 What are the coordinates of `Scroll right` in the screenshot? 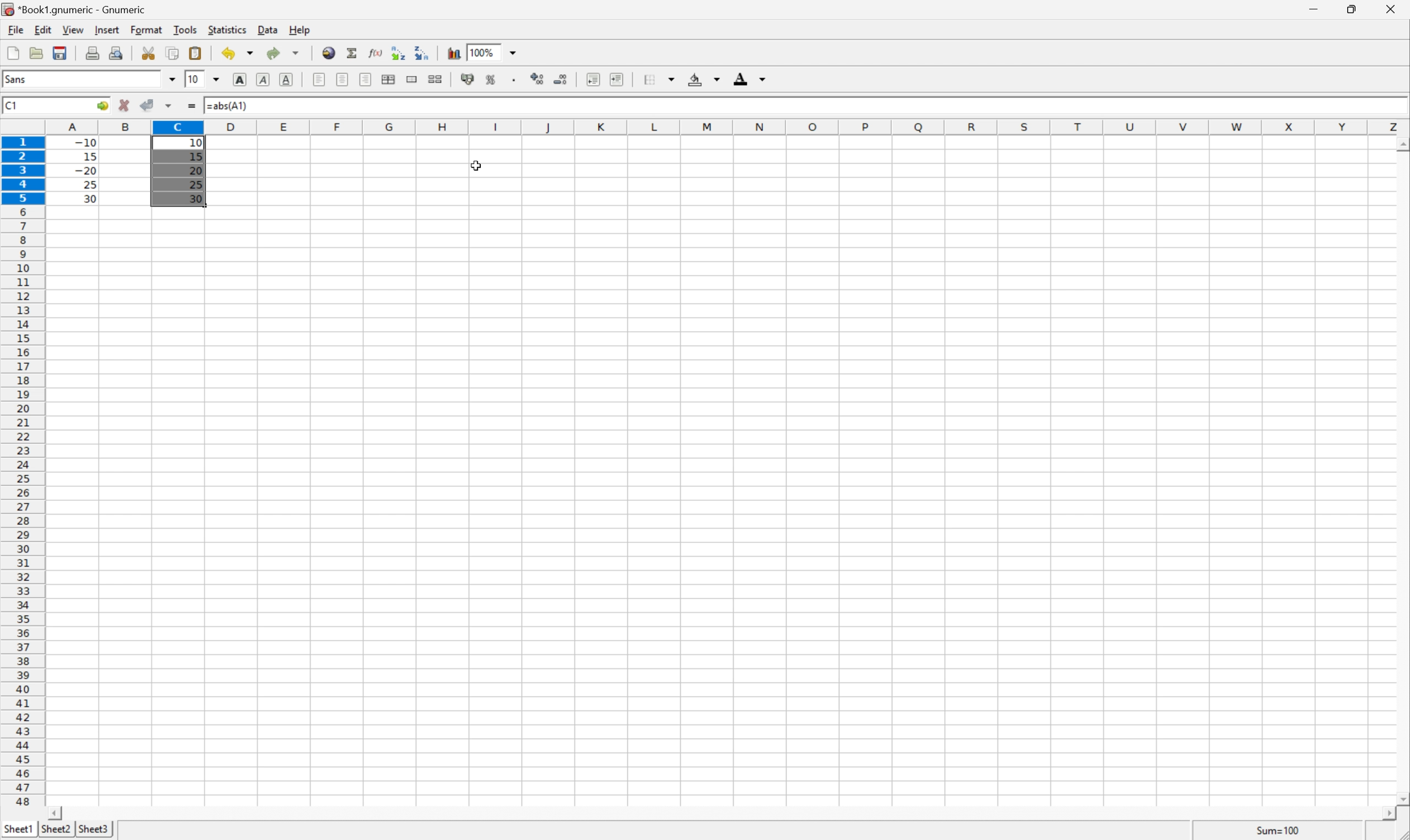 It's located at (1383, 814).